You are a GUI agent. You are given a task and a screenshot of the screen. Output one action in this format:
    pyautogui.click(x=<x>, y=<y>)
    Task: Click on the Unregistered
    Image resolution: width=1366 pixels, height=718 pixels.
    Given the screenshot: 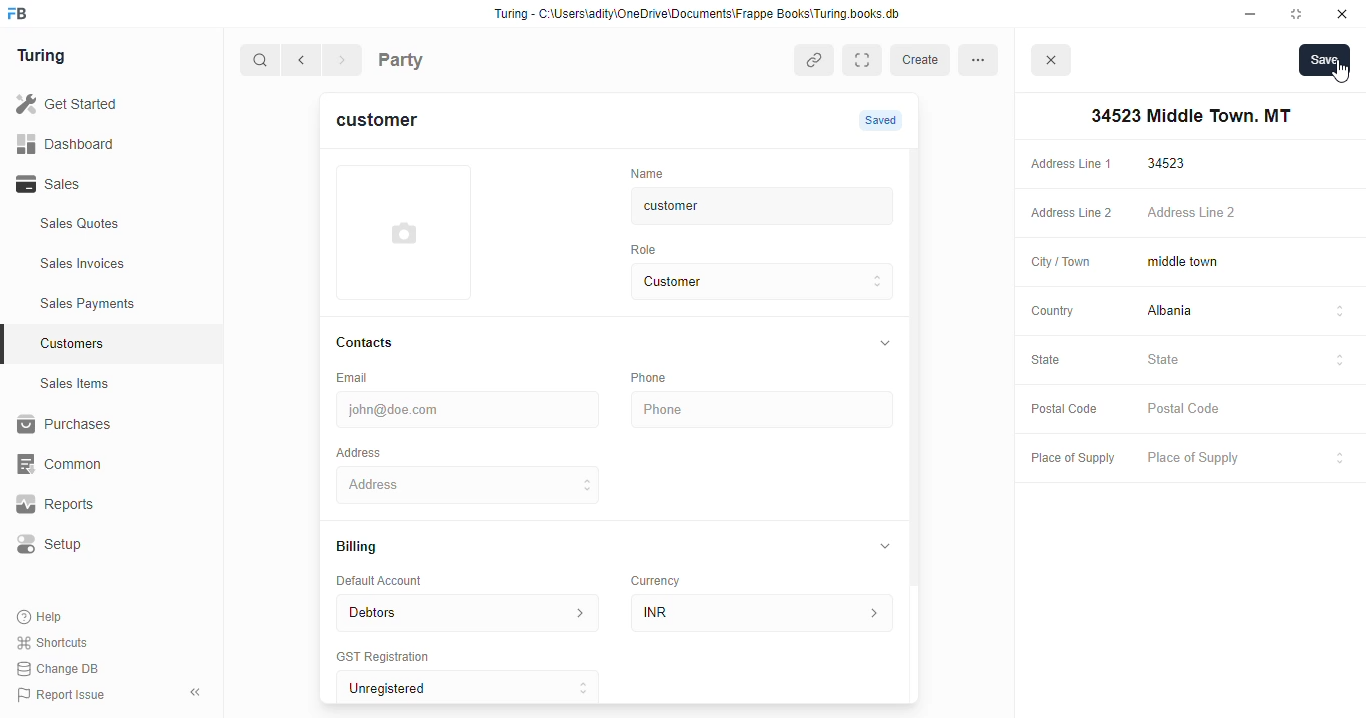 What is the action you would take?
    pyautogui.click(x=477, y=688)
    